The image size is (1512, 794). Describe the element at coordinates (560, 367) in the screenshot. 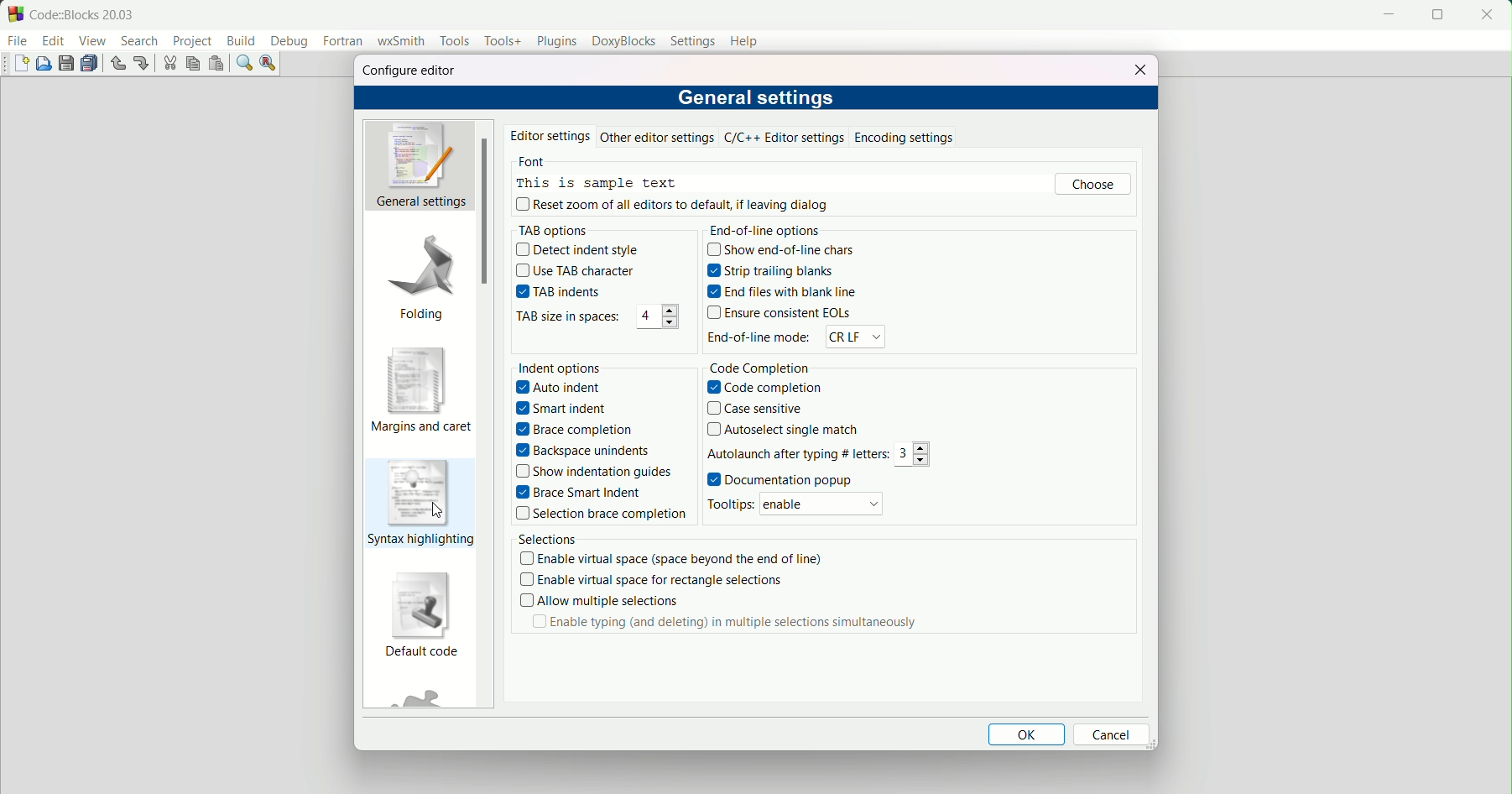

I see `Indent options` at that location.